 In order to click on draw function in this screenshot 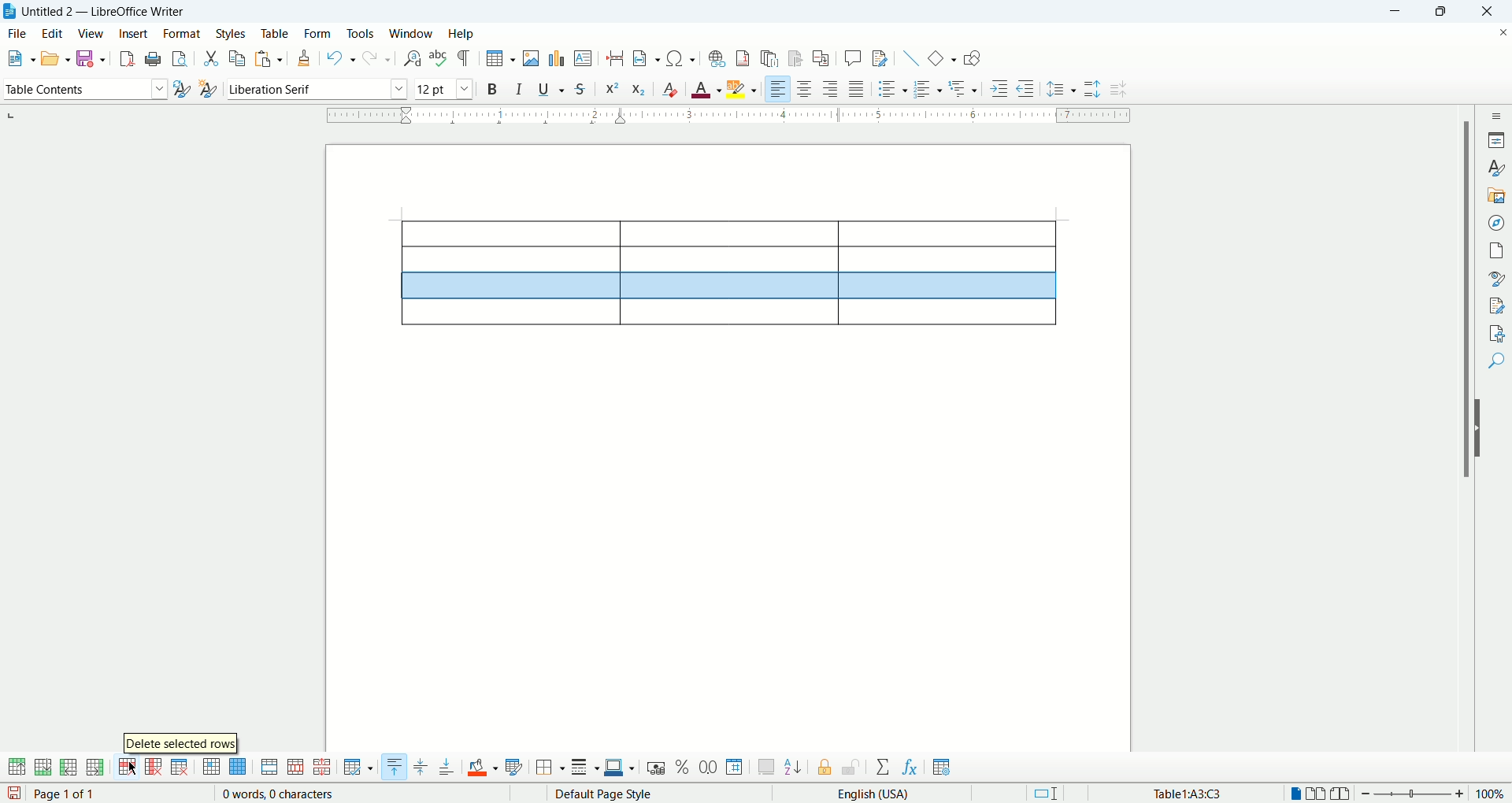, I will do `click(971, 57)`.